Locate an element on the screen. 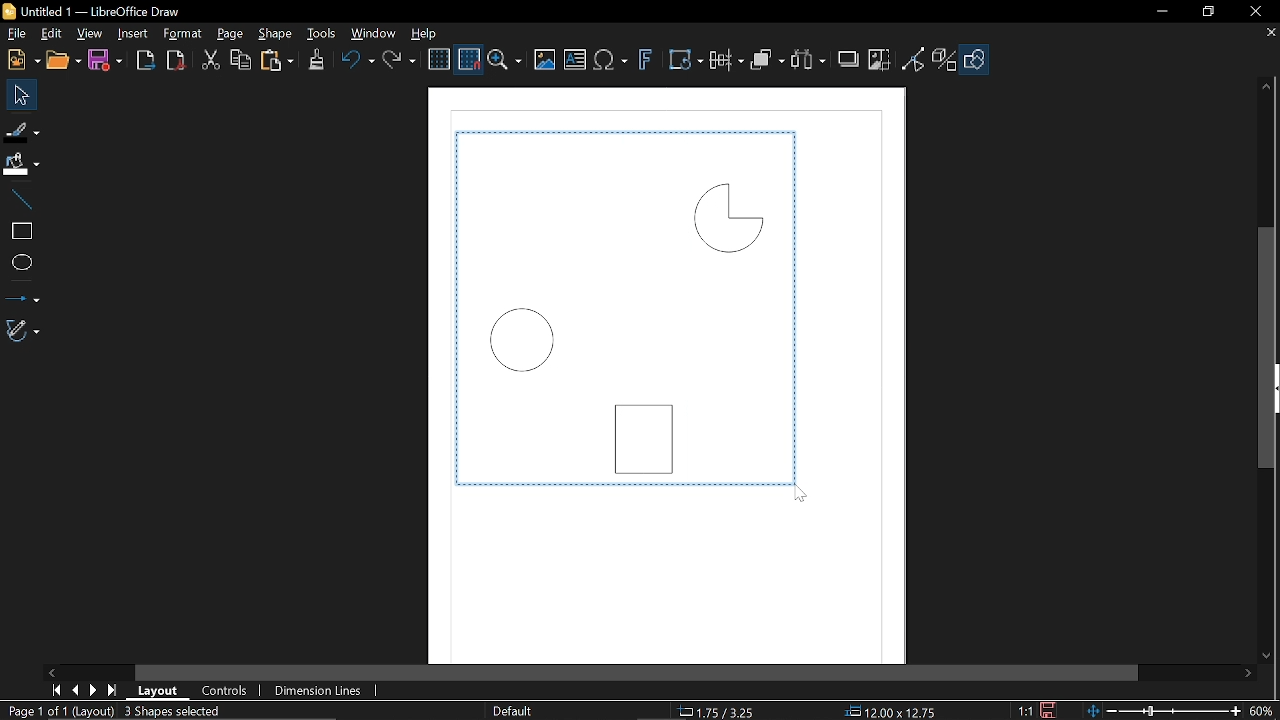  File is located at coordinates (17, 32).